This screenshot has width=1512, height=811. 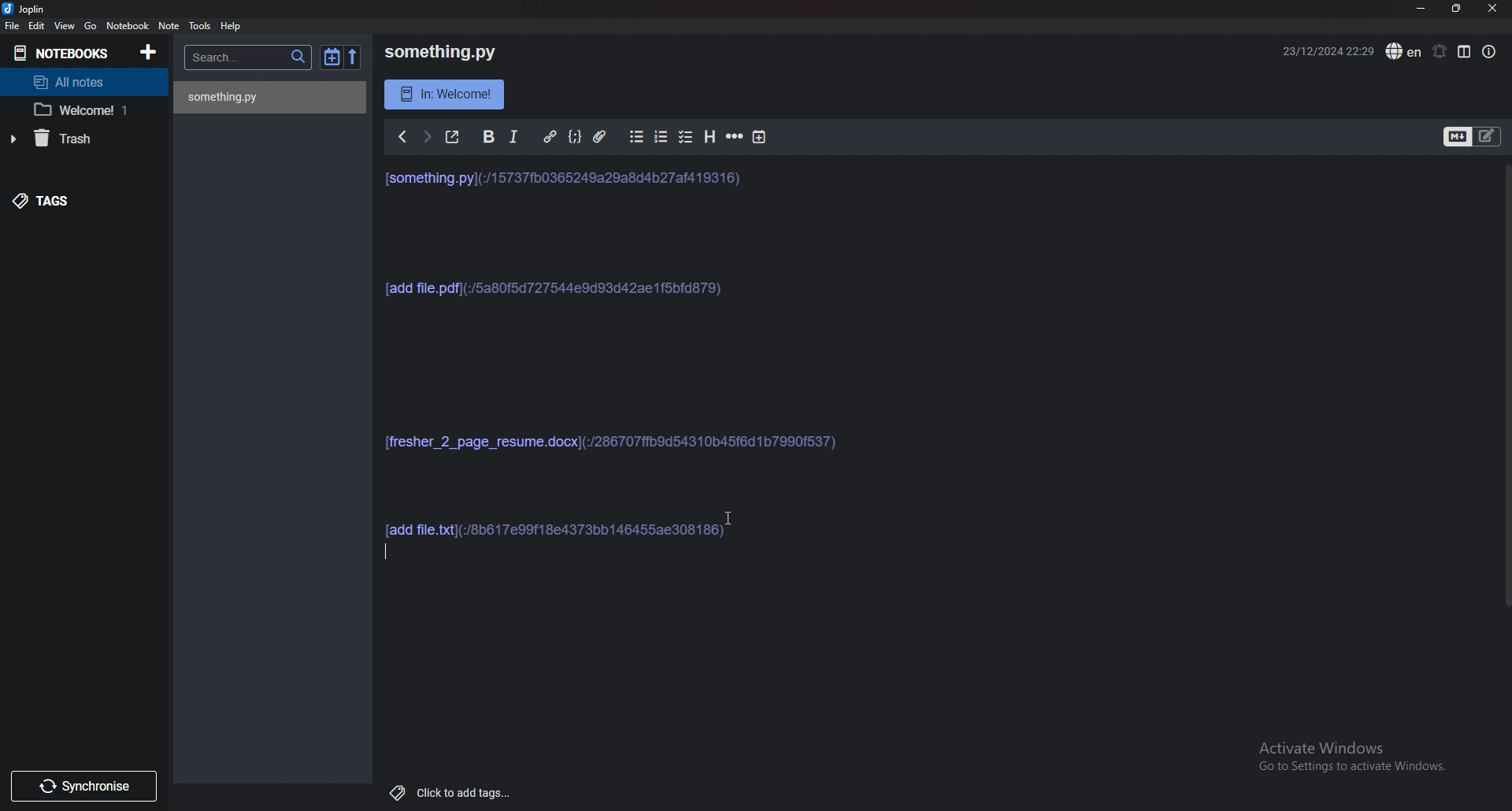 What do you see at coordinates (687, 137) in the screenshot?
I see `Checkbox` at bounding box center [687, 137].